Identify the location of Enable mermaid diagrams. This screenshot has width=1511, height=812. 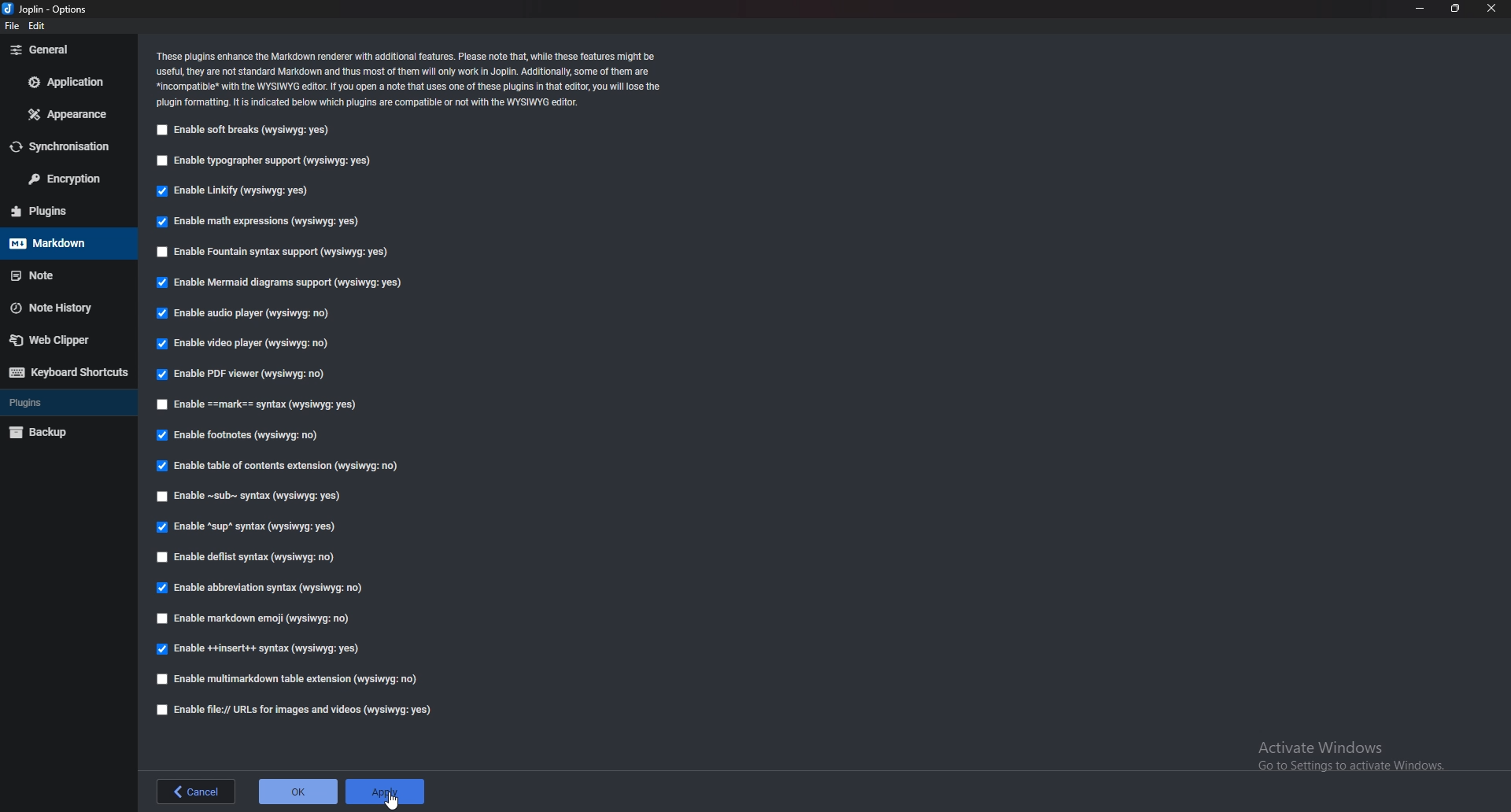
(278, 282).